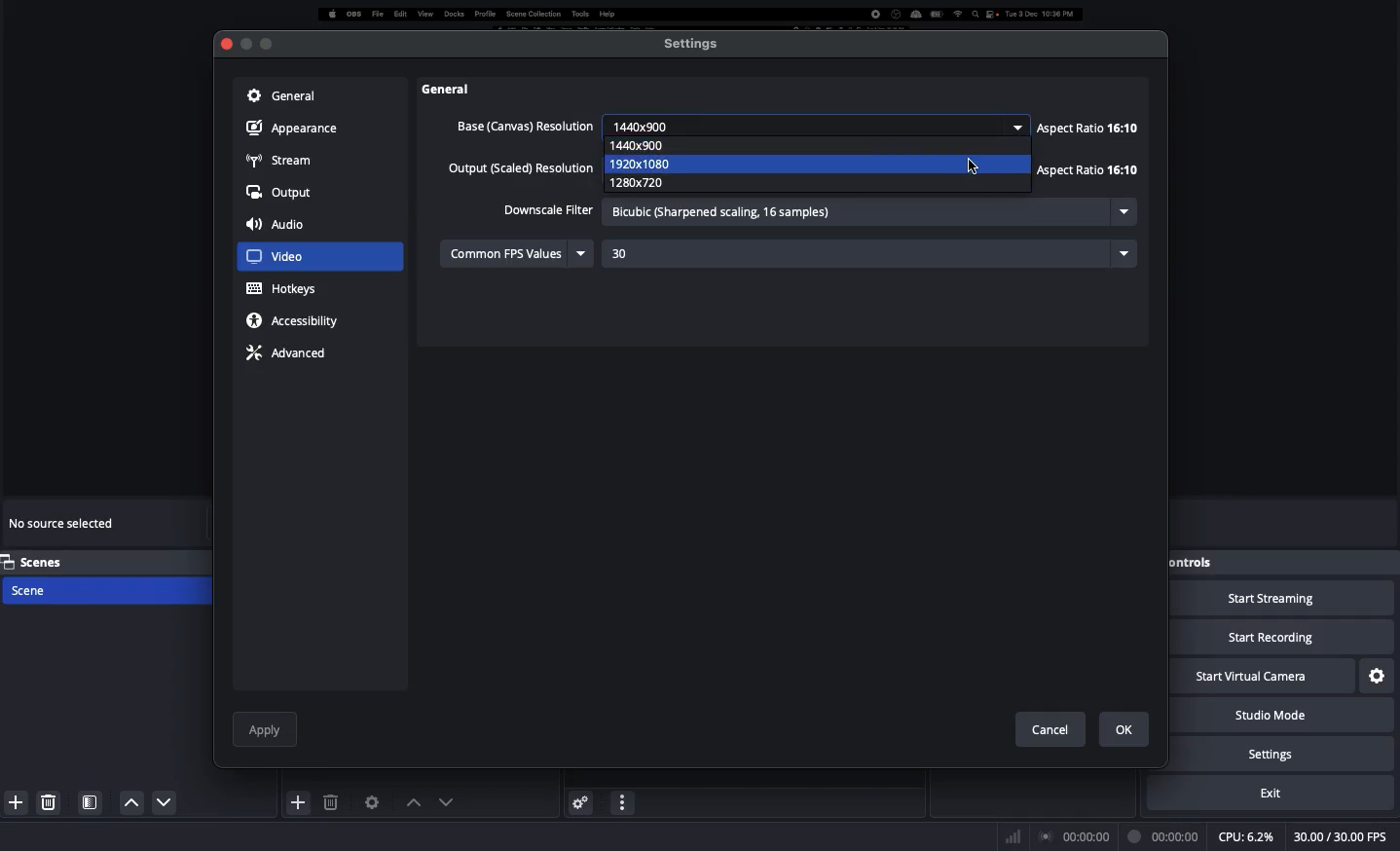 This screenshot has width=1400, height=851. What do you see at coordinates (225, 45) in the screenshot?
I see `Close` at bounding box center [225, 45].